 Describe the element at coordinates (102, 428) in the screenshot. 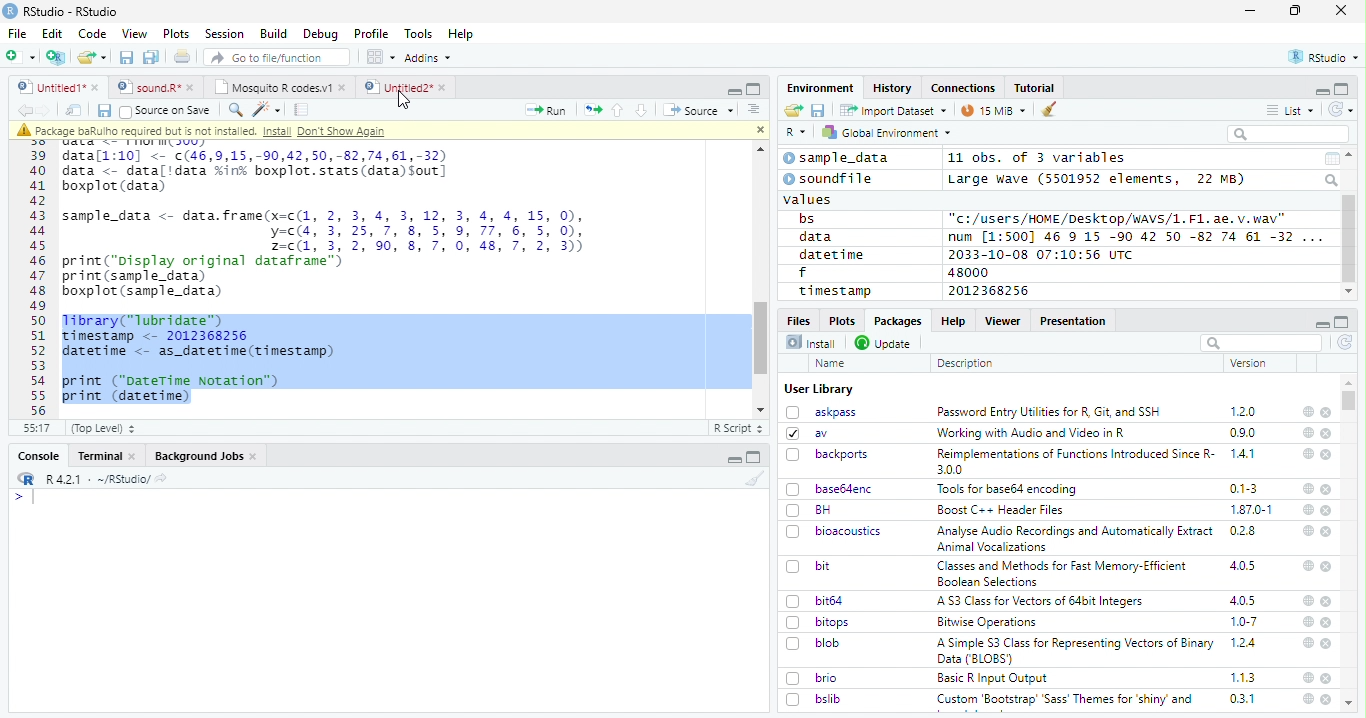

I see `(Top Level)` at that location.